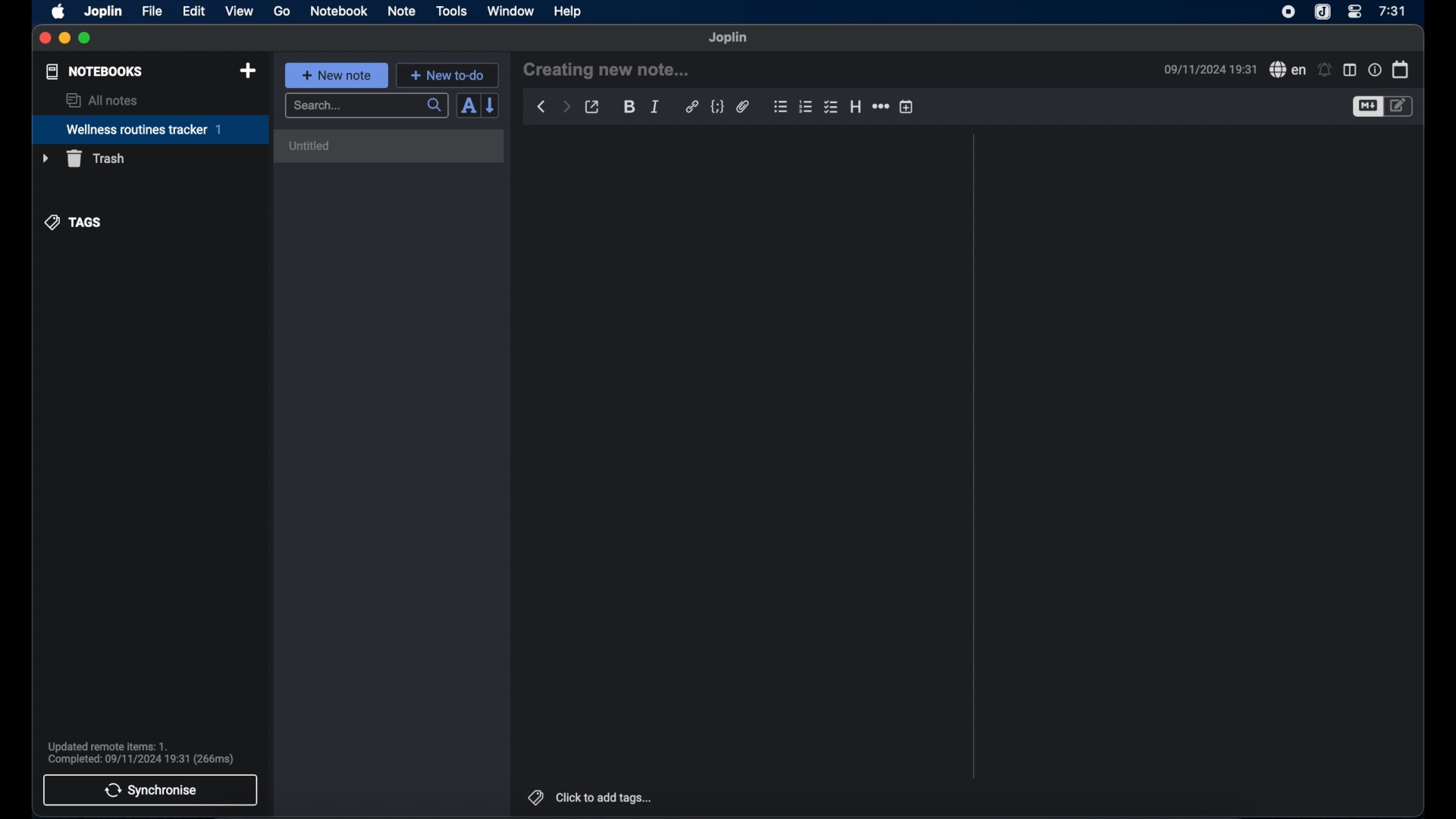 This screenshot has width=1456, height=819. Describe the element at coordinates (389, 146) in the screenshot. I see `untitled ` at that location.